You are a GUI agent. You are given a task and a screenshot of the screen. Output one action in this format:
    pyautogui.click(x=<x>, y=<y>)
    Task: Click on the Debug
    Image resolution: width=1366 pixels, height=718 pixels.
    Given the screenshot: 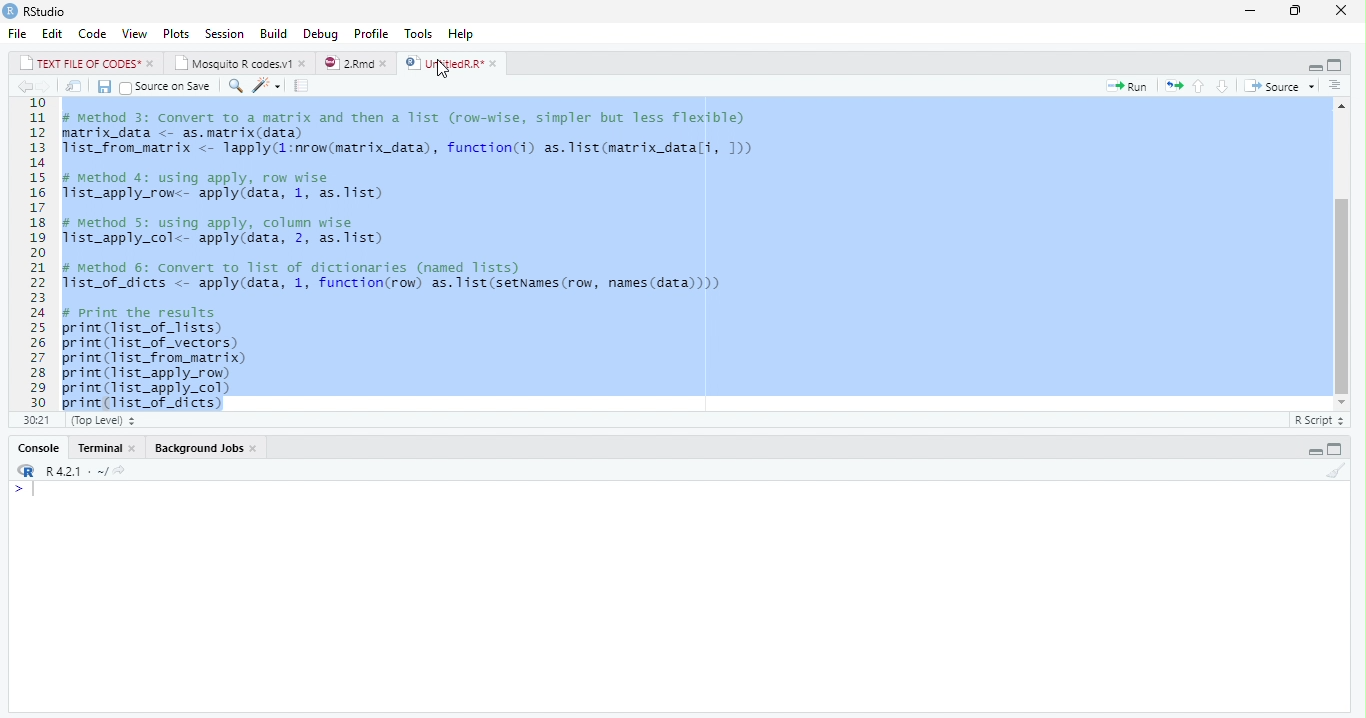 What is the action you would take?
    pyautogui.click(x=321, y=33)
    